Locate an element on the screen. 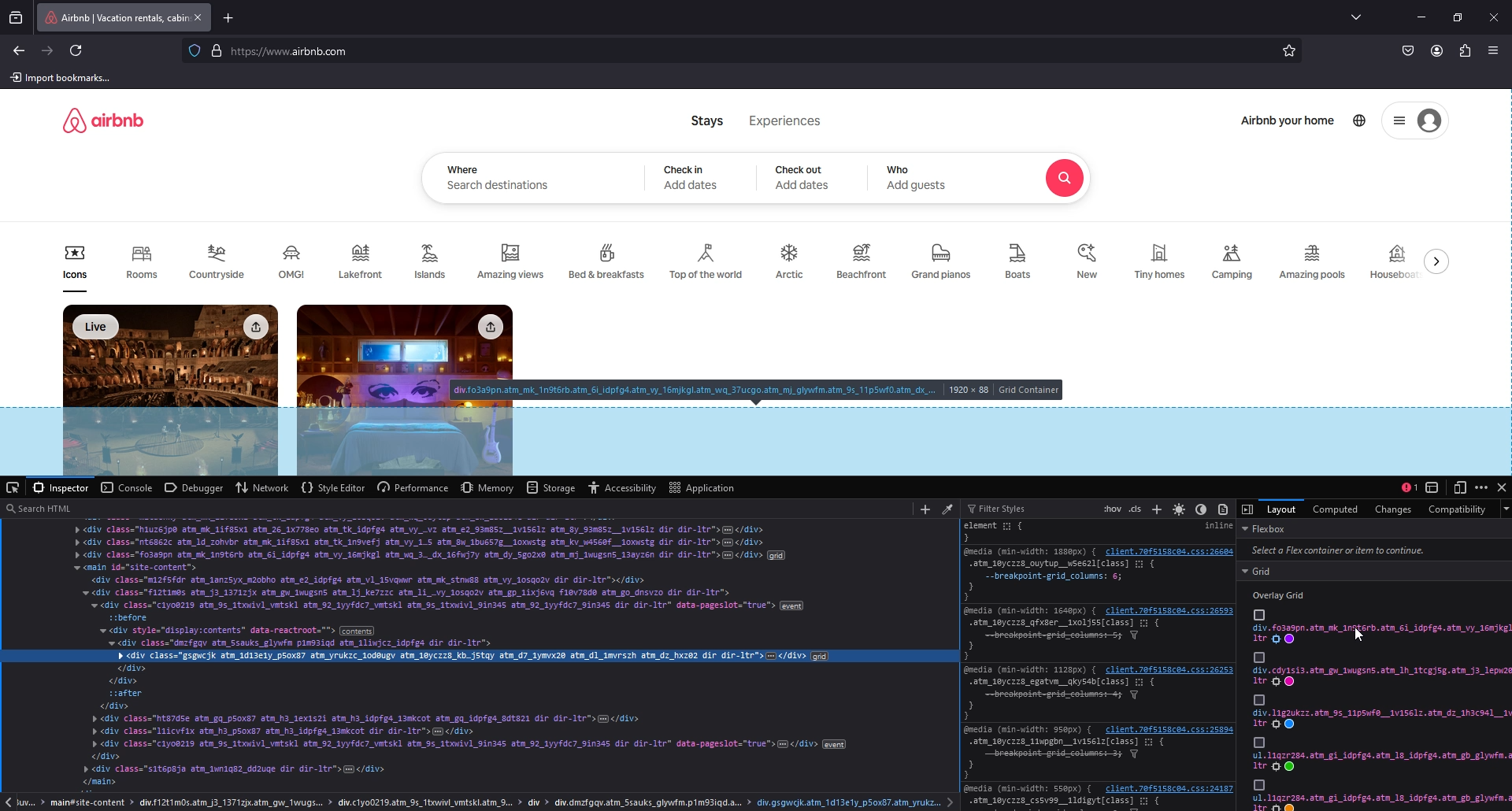 This screenshot has width=1512, height=811. toggle off 3 pane is located at coordinates (1248, 509).